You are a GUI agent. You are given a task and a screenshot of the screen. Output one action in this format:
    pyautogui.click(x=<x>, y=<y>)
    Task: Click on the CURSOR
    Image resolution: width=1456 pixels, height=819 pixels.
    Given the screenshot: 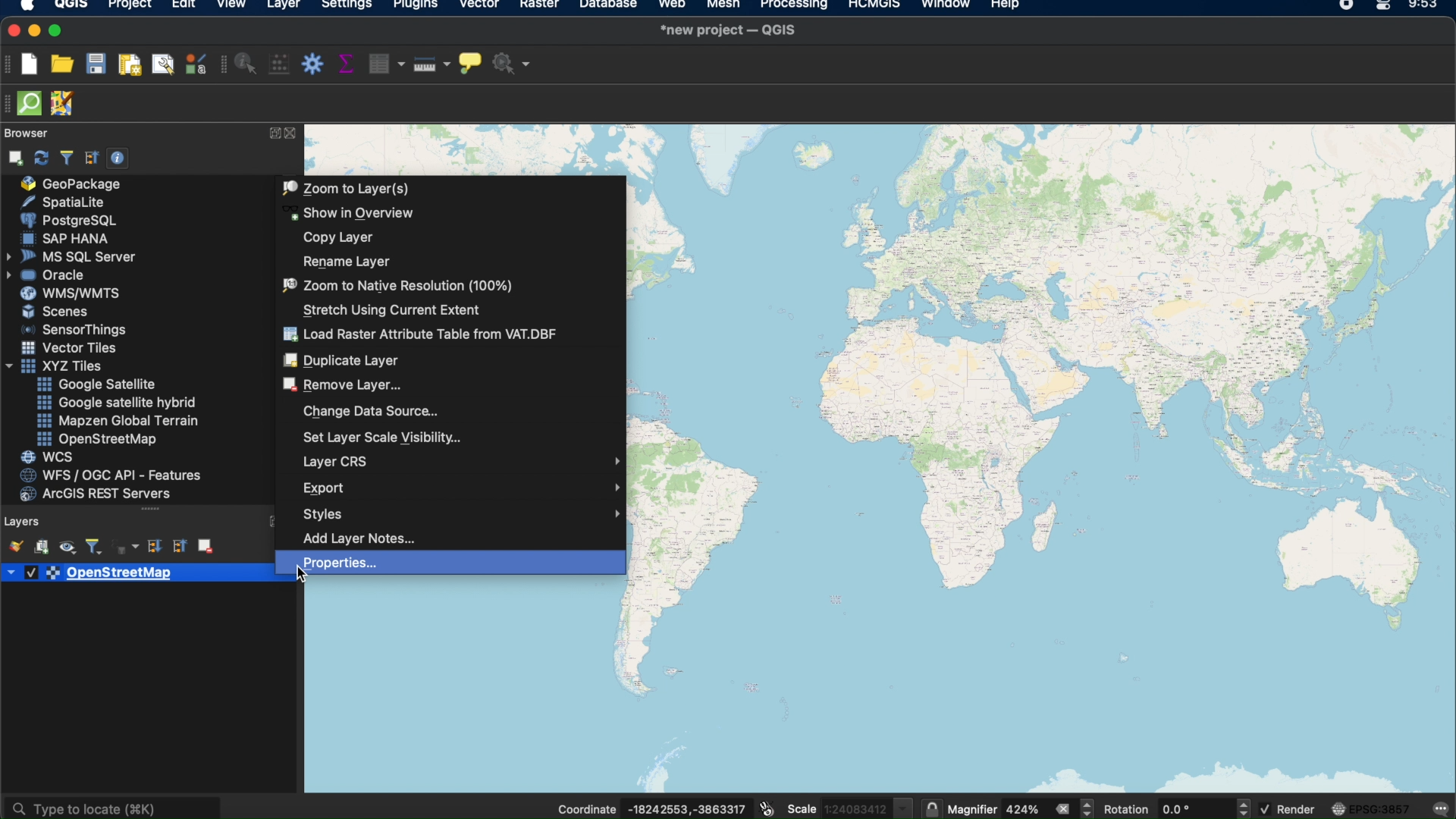 What is the action you would take?
    pyautogui.click(x=306, y=577)
    